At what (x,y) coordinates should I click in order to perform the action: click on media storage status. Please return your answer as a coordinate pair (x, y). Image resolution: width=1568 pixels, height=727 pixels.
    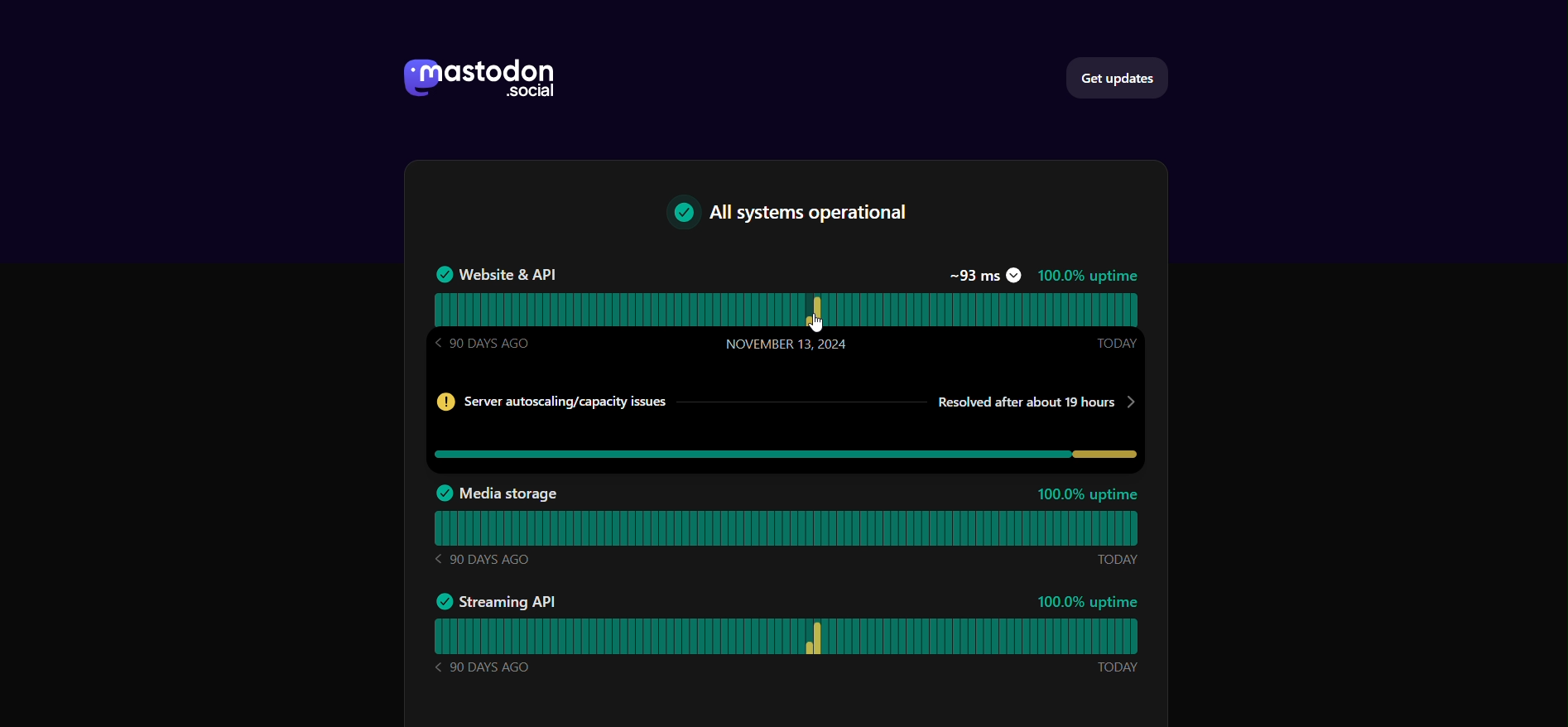
    Looking at the image, I should click on (793, 527).